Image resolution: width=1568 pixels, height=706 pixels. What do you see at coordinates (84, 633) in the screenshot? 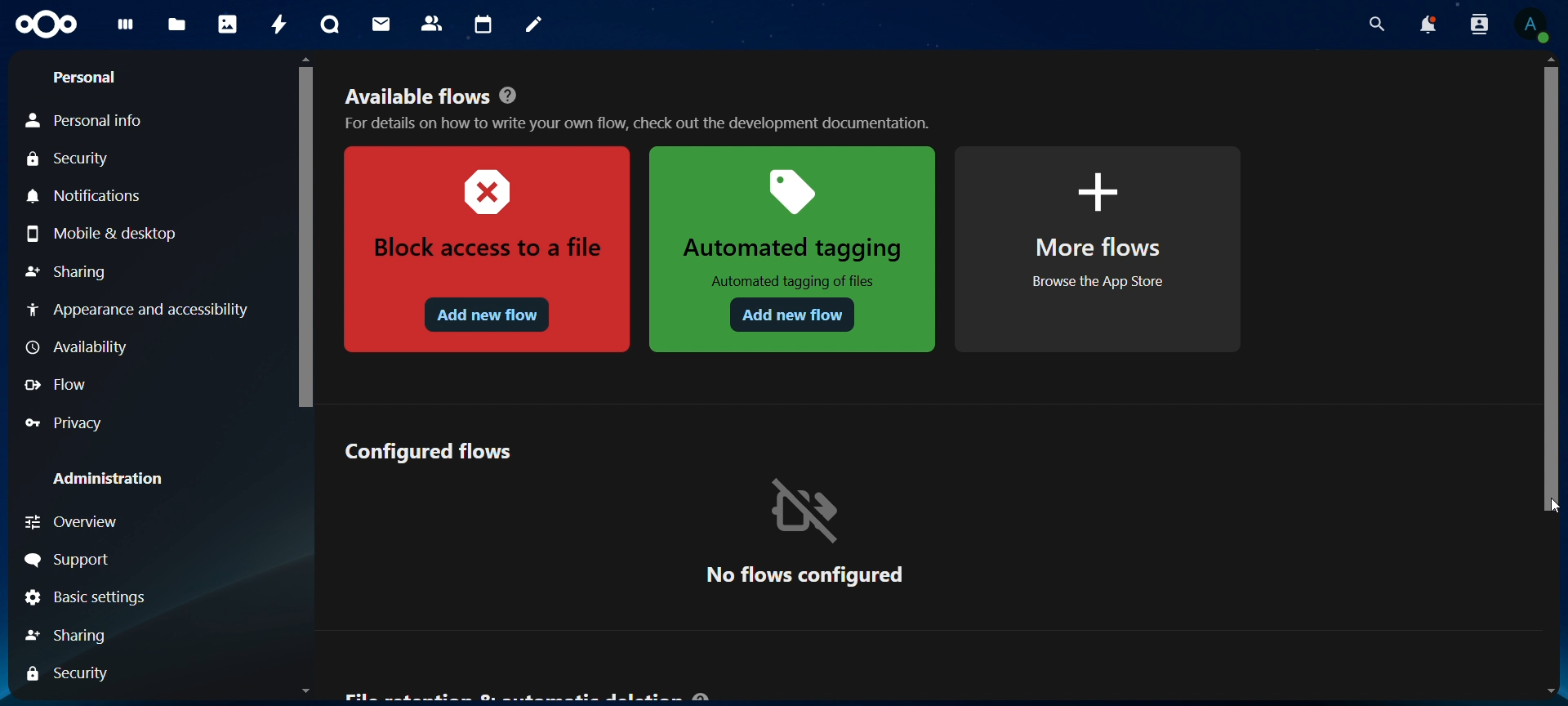
I see `sharing` at bounding box center [84, 633].